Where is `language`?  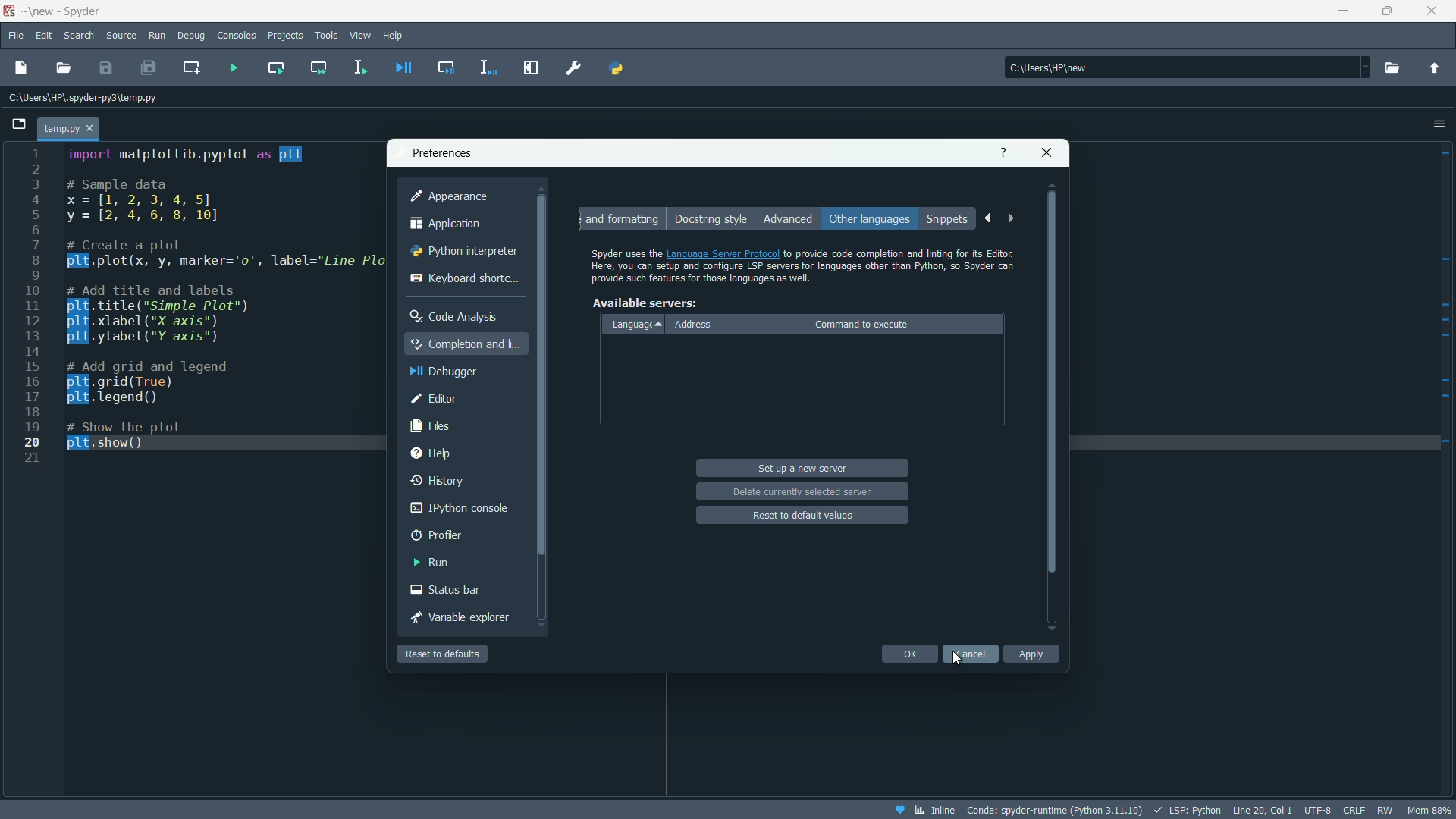 language is located at coordinates (636, 324).